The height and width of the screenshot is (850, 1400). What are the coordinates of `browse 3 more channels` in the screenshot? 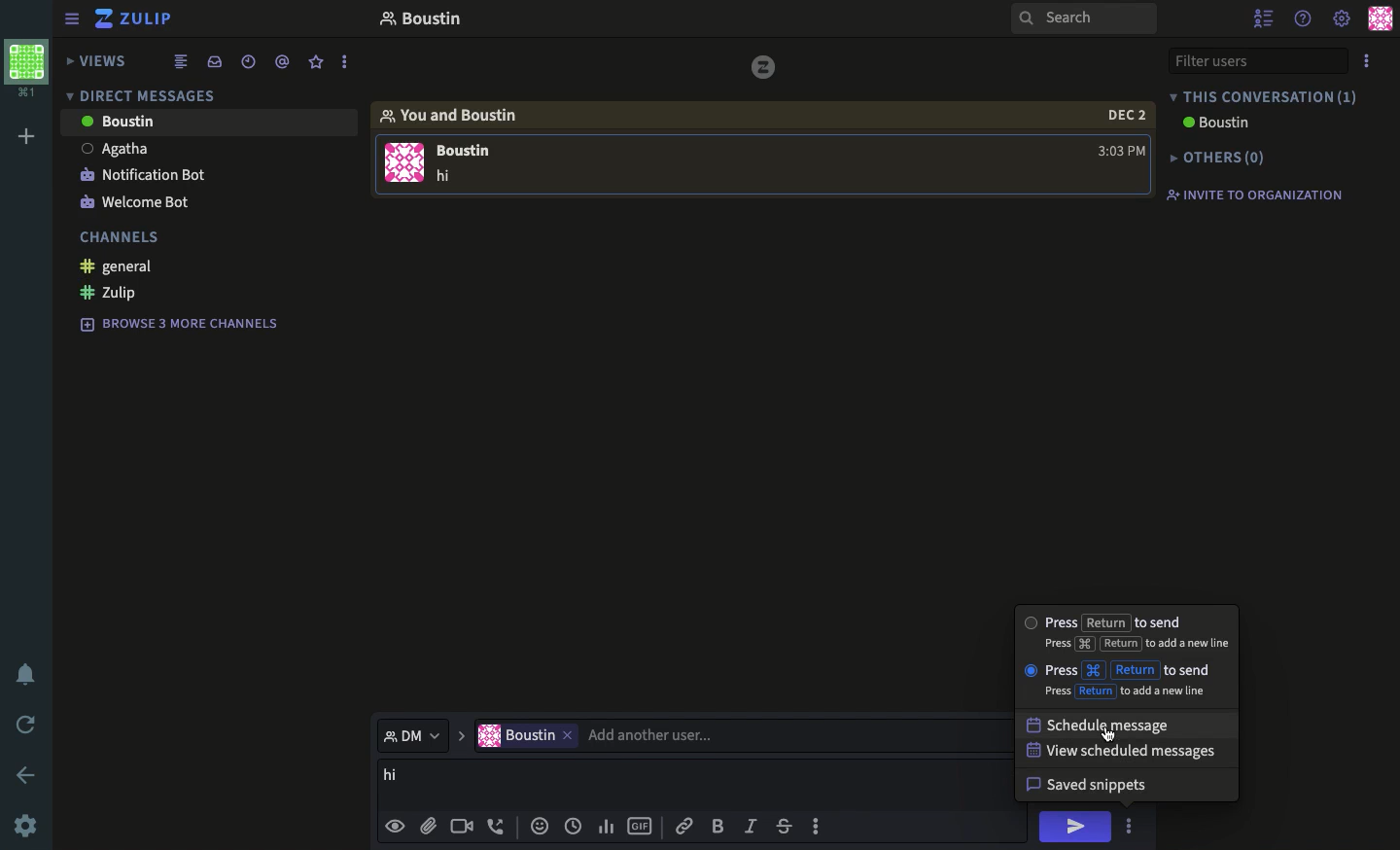 It's located at (181, 324).